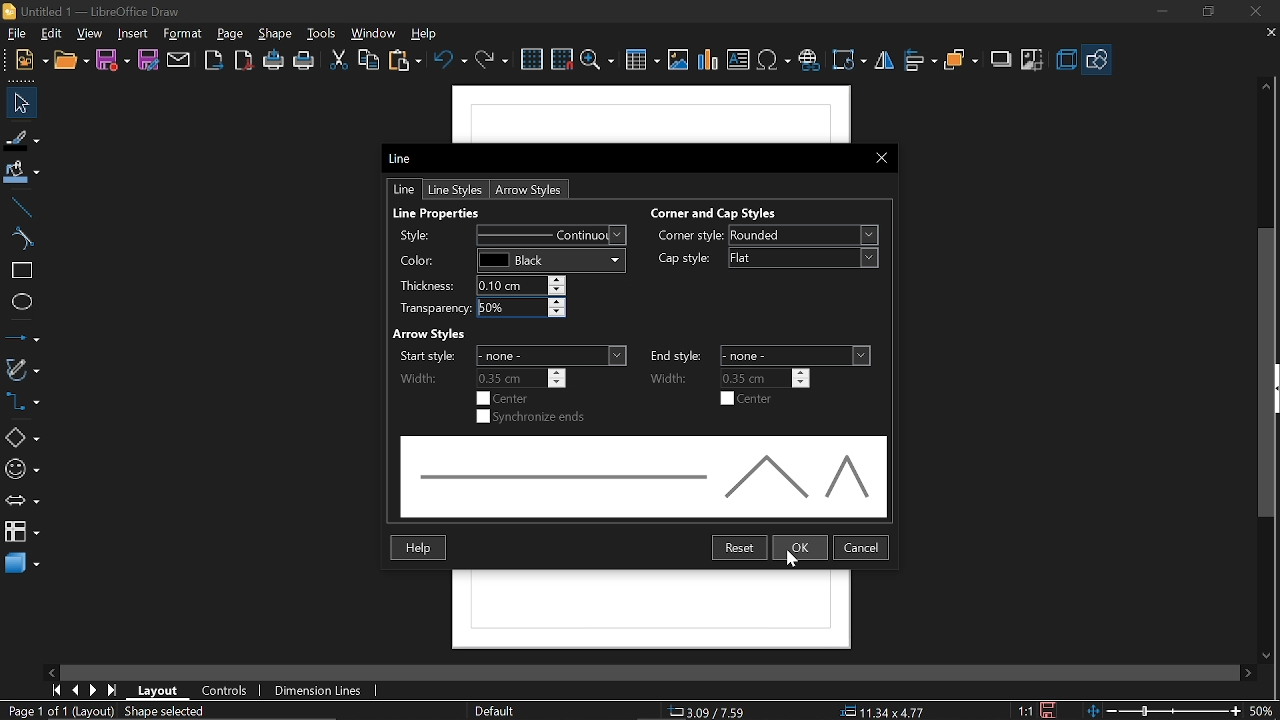  Describe the element at coordinates (323, 34) in the screenshot. I see `tools` at that location.